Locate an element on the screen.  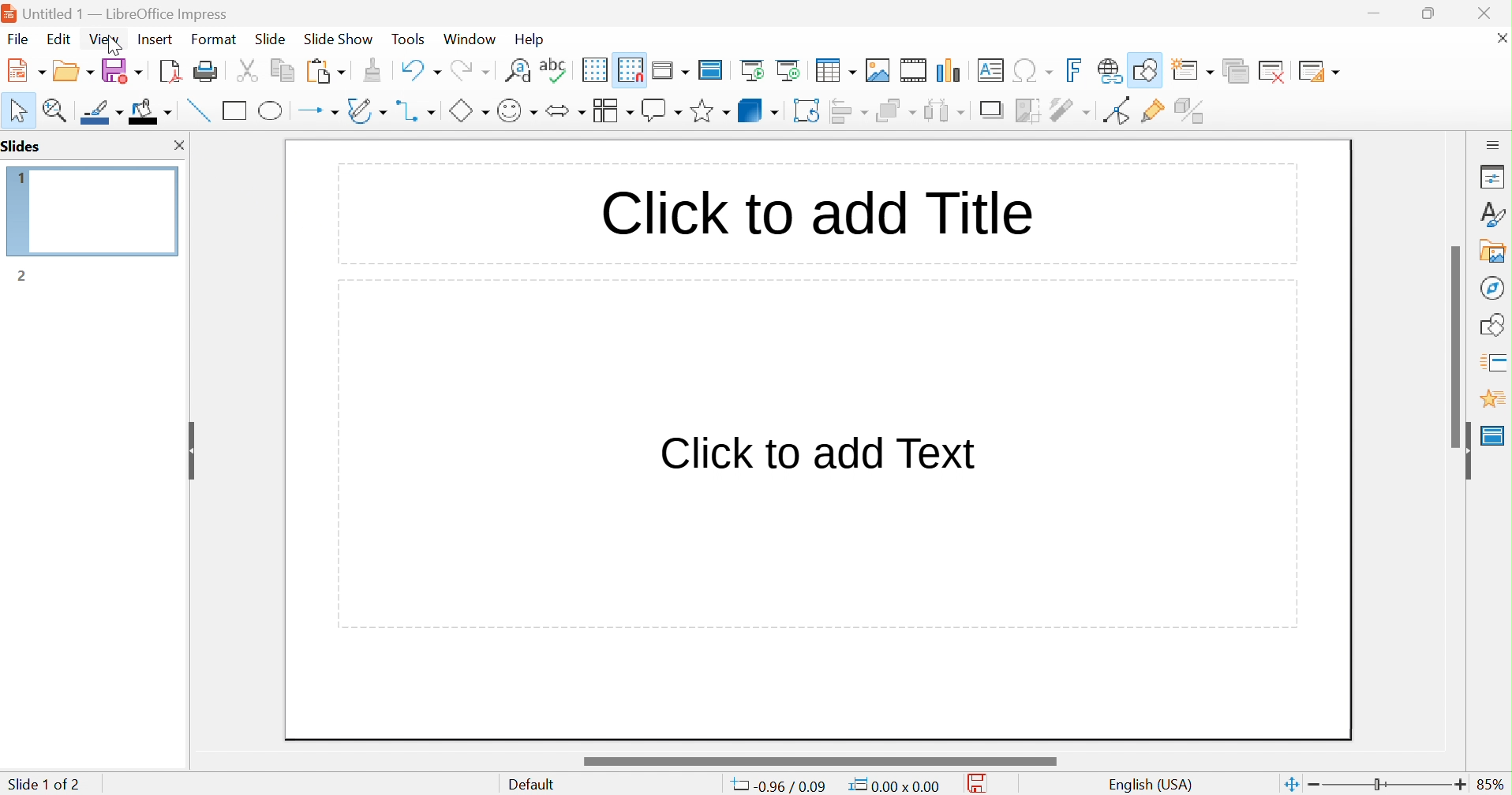
hide is located at coordinates (1463, 451).